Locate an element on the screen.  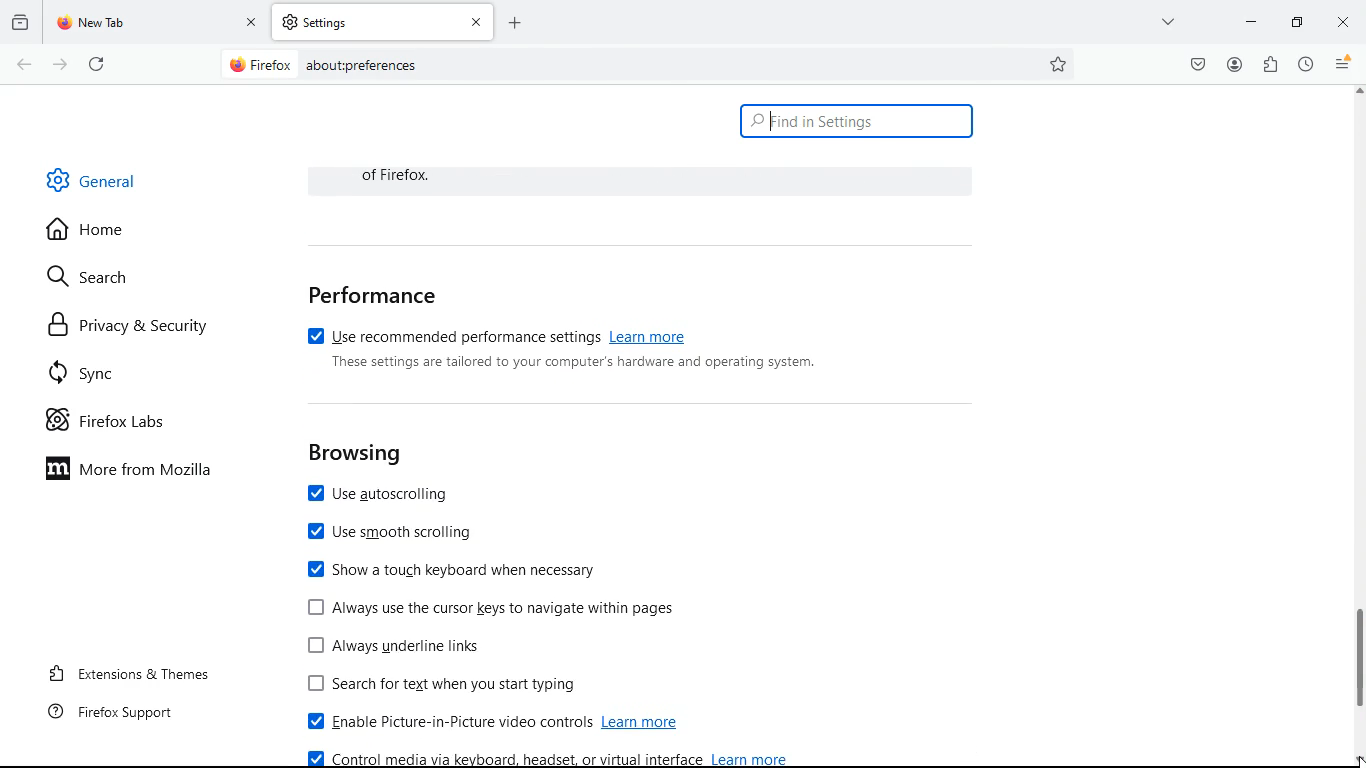
back is located at coordinates (22, 65).